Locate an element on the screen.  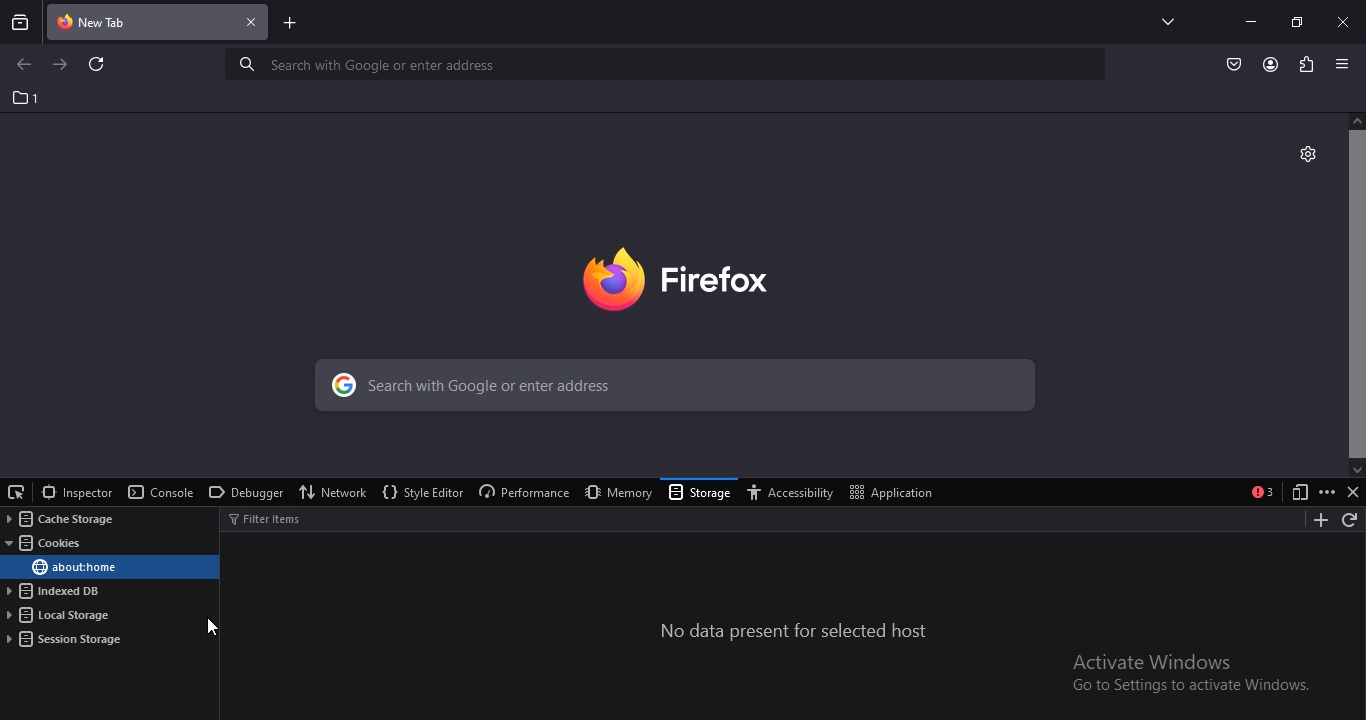
about:home is located at coordinates (73, 567).